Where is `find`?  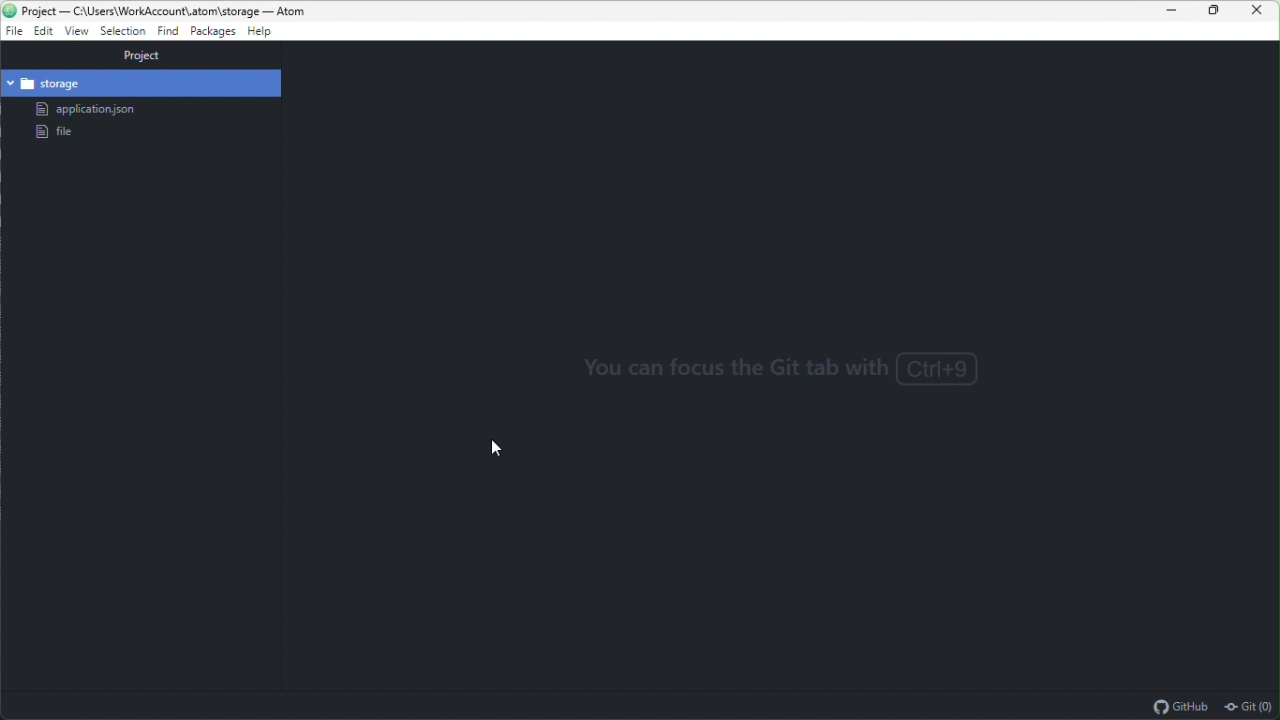
find is located at coordinates (169, 32).